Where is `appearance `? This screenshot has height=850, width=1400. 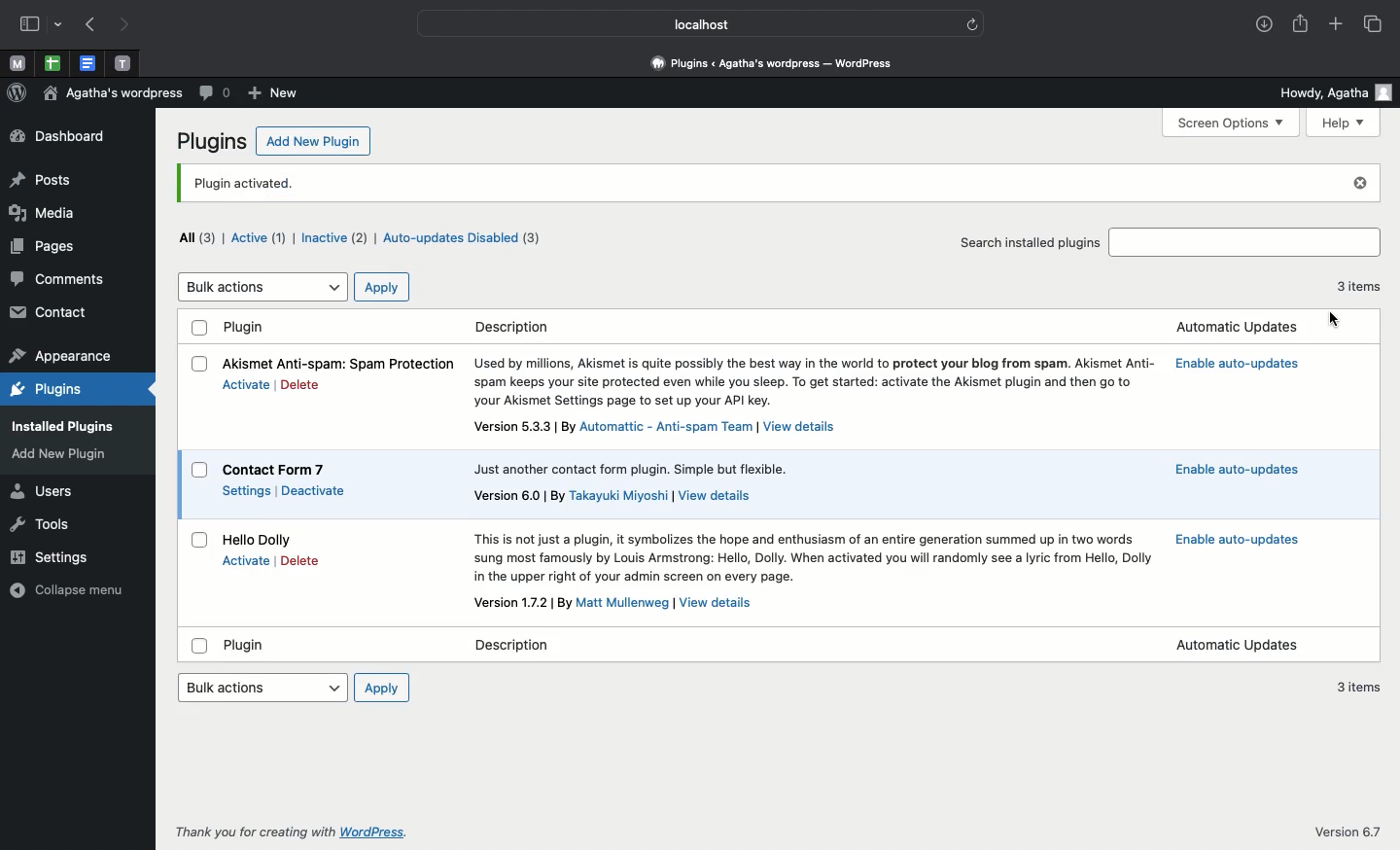 appearance  is located at coordinates (60, 357).